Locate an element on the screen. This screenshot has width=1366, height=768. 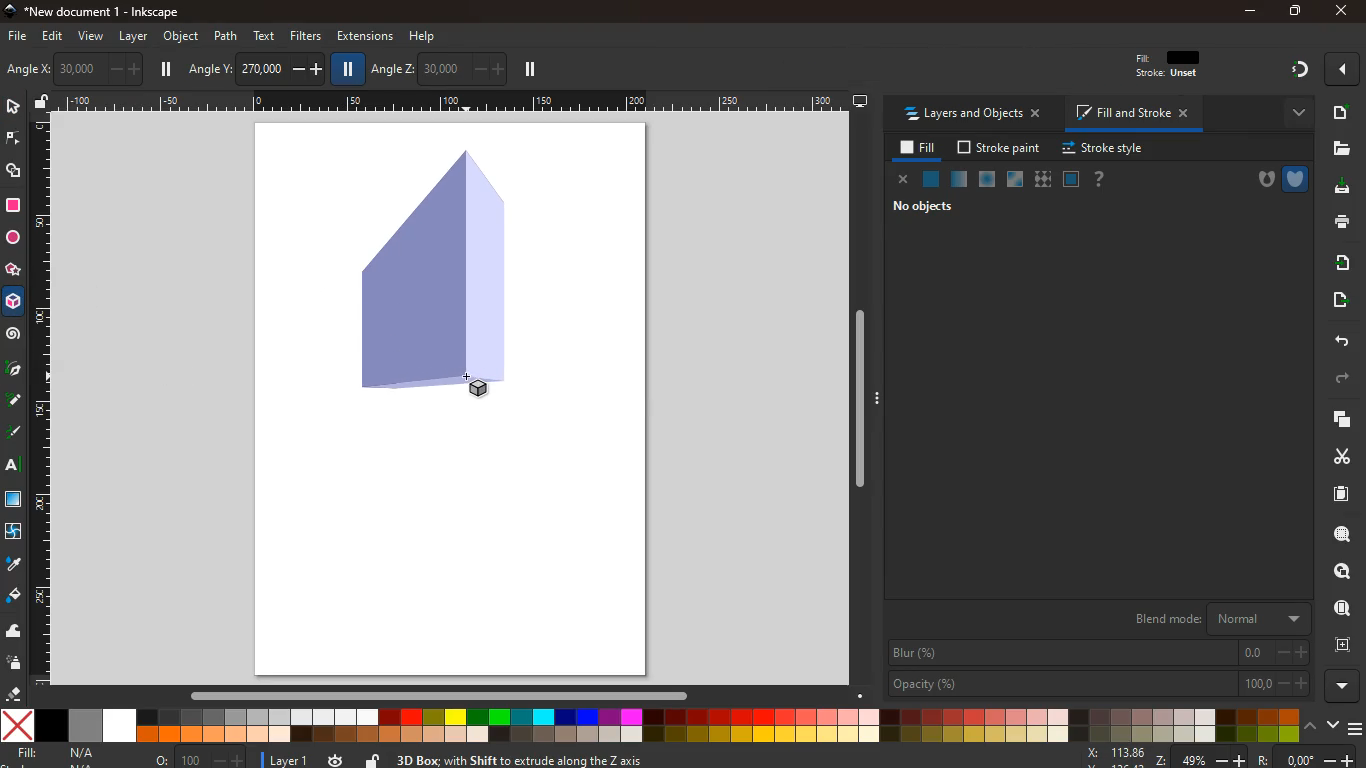
edge is located at coordinates (12, 140).